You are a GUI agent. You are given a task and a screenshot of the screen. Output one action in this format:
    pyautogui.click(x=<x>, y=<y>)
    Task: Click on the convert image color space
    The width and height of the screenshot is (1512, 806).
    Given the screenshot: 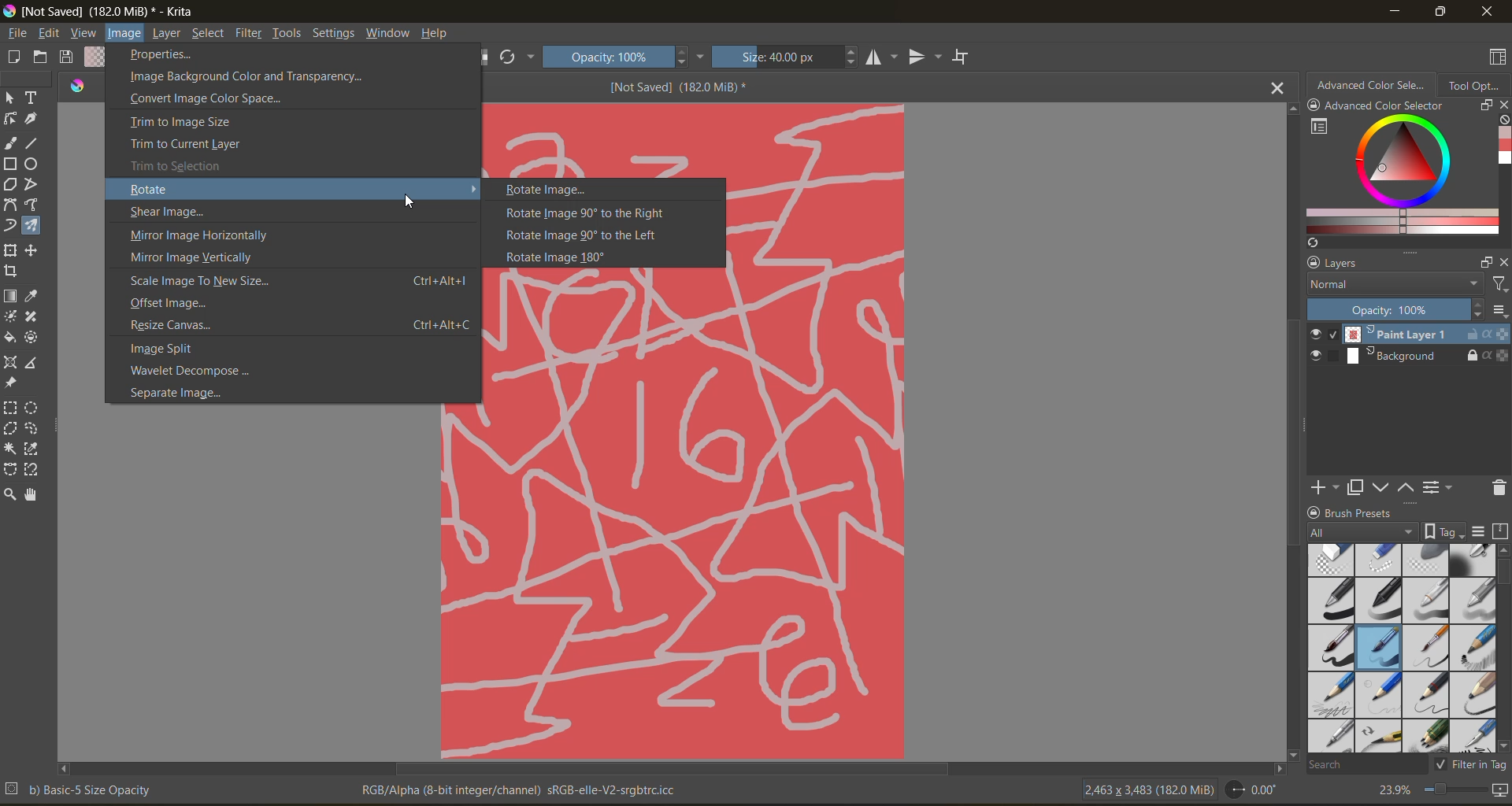 What is the action you would take?
    pyautogui.click(x=211, y=101)
    